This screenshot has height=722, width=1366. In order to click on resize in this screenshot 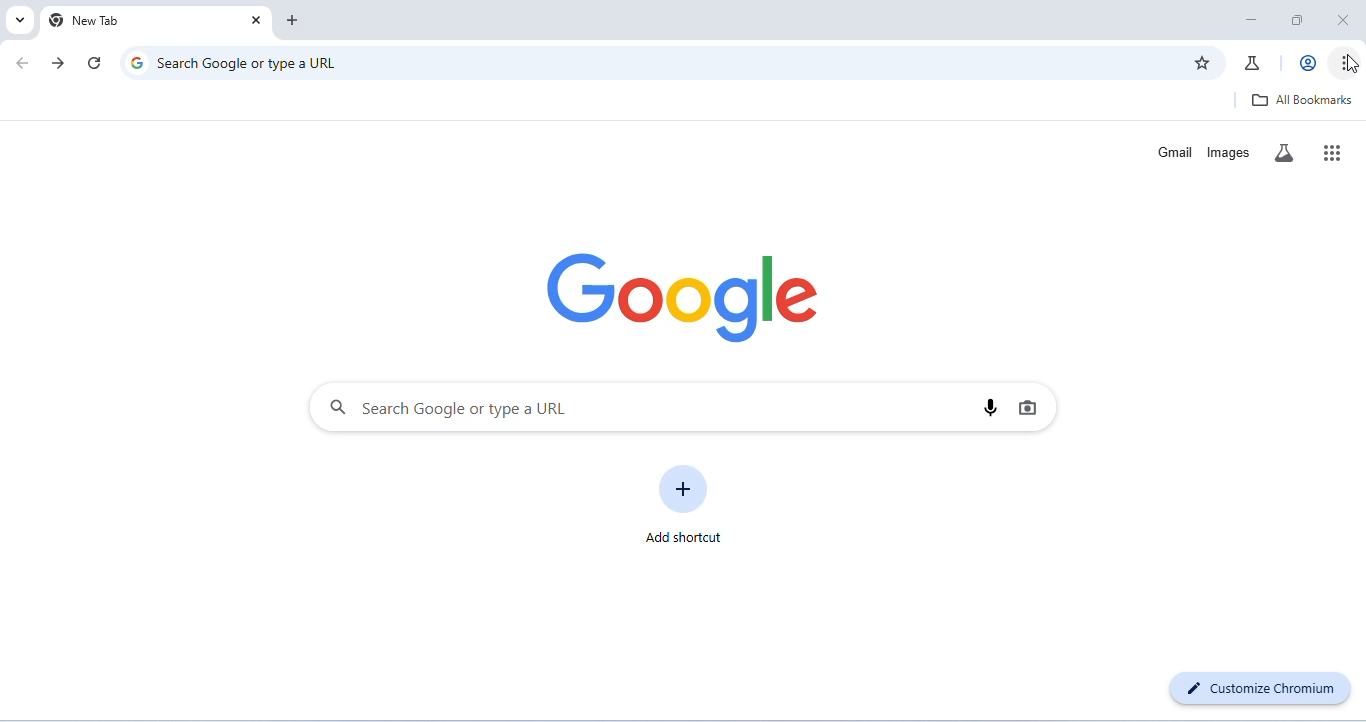, I will do `click(1295, 20)`.